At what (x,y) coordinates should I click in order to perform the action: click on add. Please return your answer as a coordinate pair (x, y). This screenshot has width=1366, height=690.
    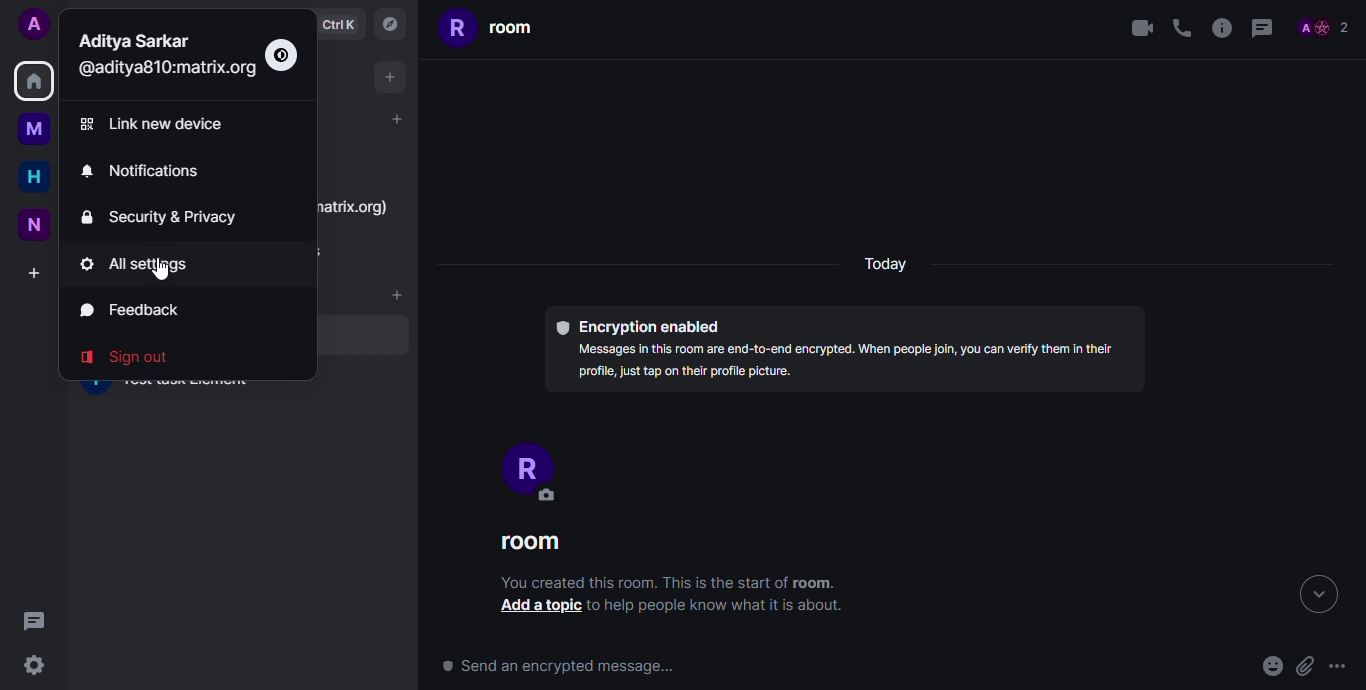
    Looking at the image, I should click on (395, 118).